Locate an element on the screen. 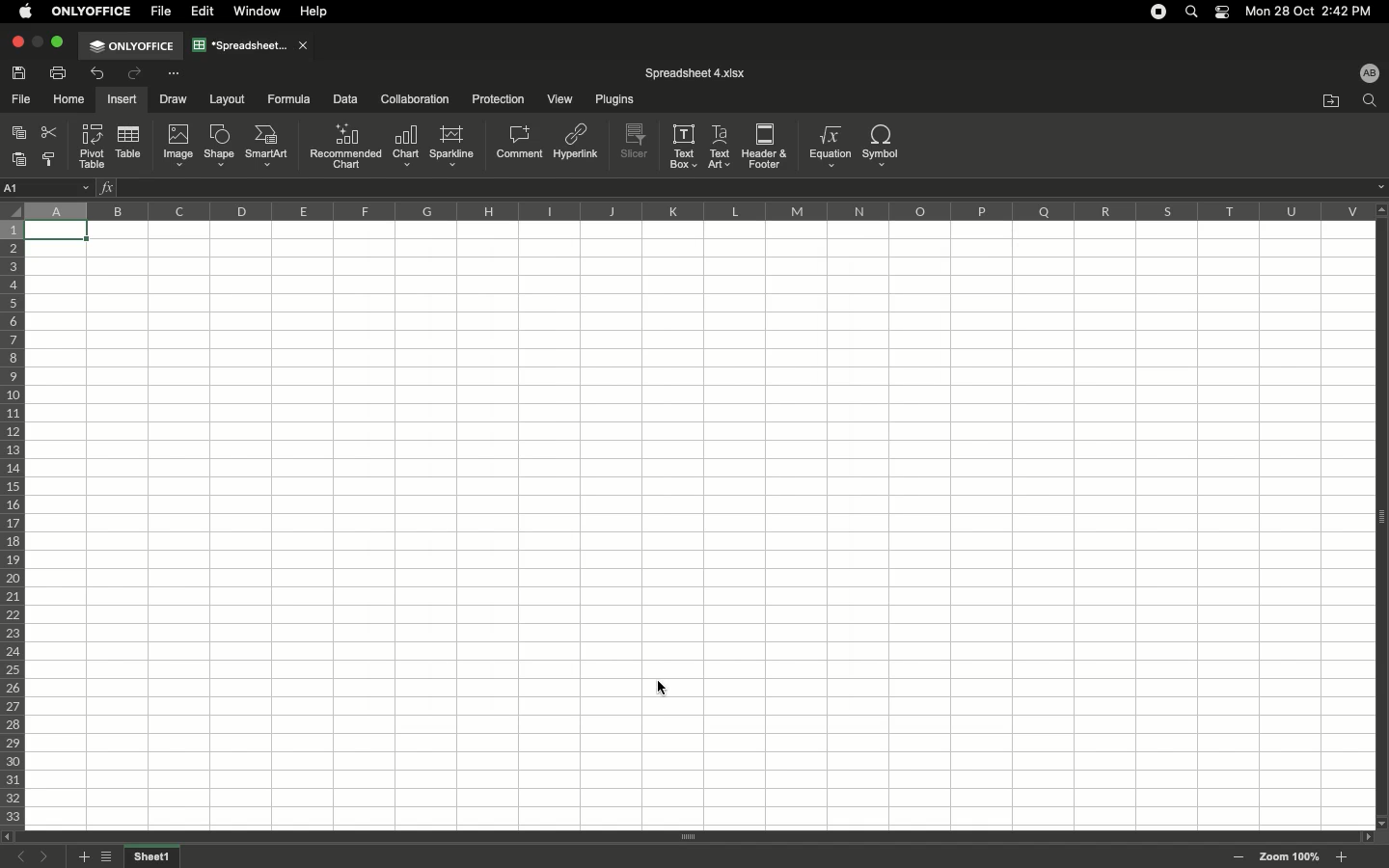  Zoom in is located at coordinates (1341, 857).